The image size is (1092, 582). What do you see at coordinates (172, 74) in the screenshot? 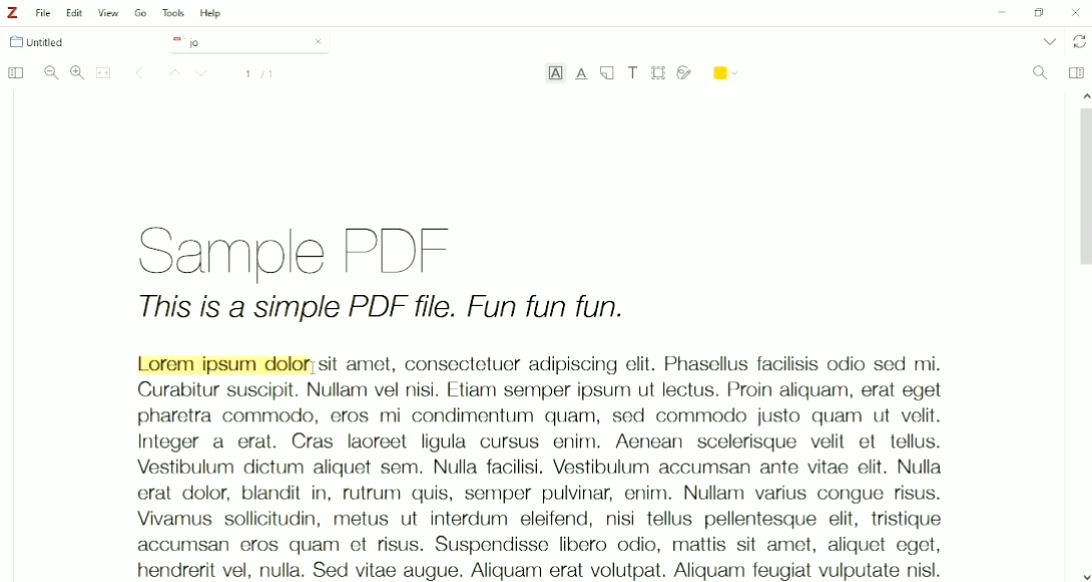
I see `Up` at bounding box center [172, 74].